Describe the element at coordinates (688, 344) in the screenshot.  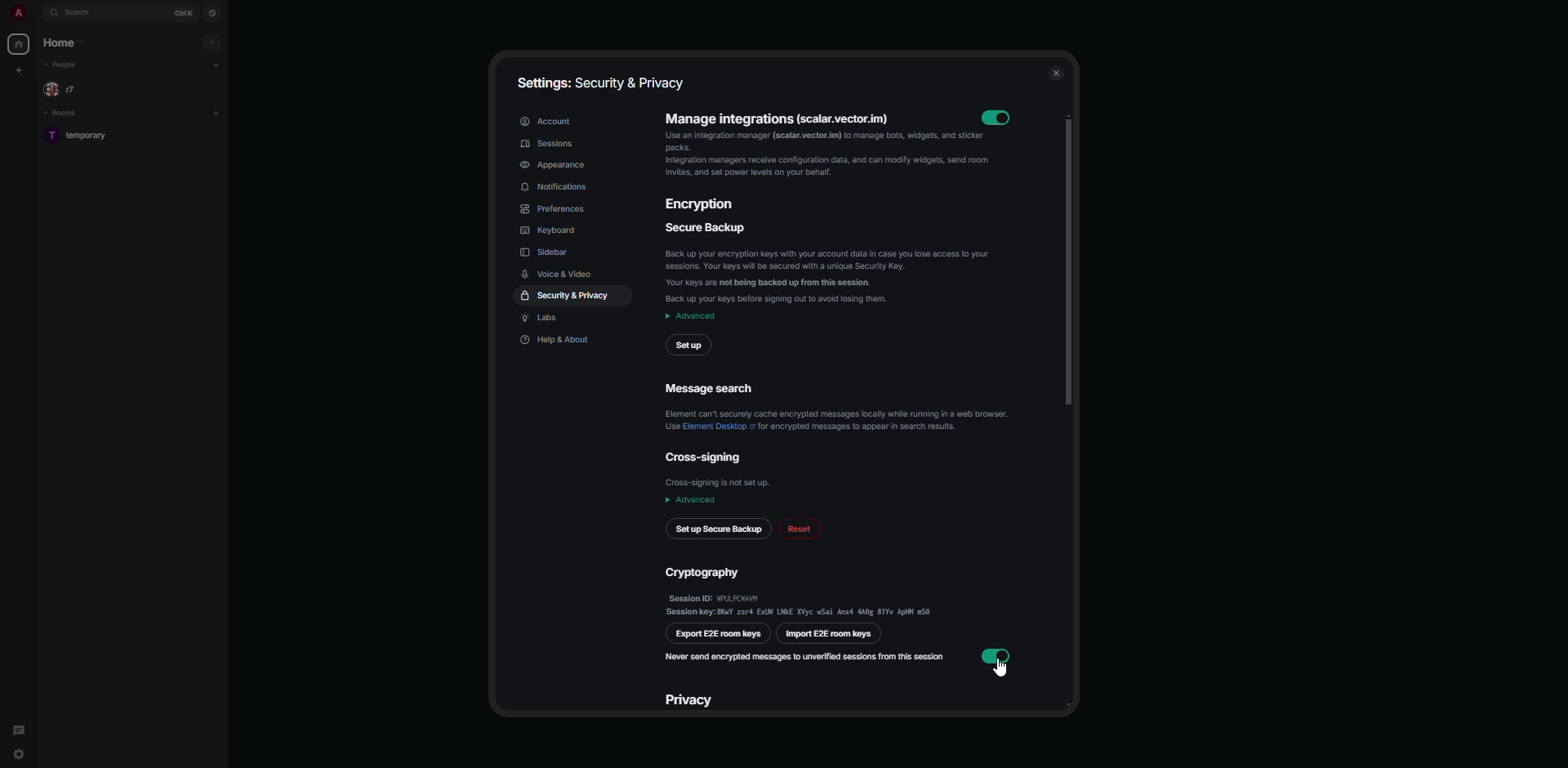
I see `setup` at that location.